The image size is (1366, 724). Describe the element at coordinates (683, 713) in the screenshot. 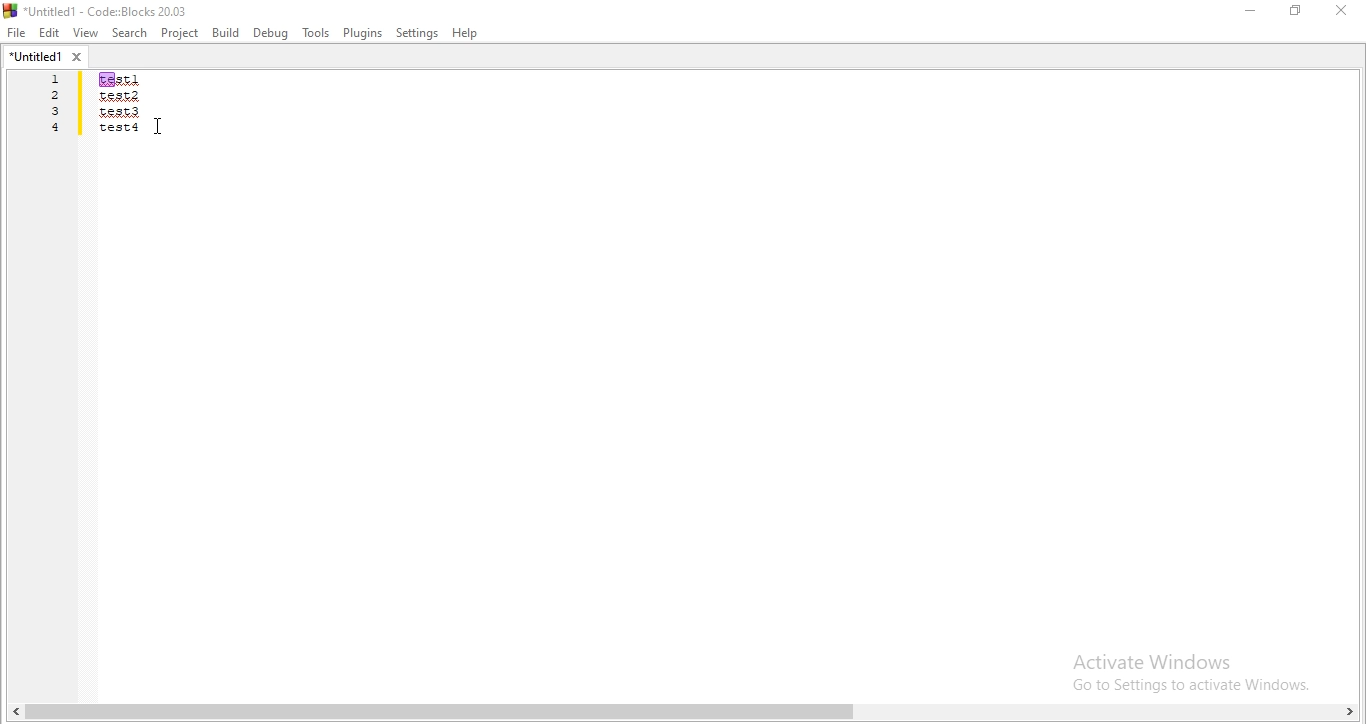

I see `scroll bar` at that location.